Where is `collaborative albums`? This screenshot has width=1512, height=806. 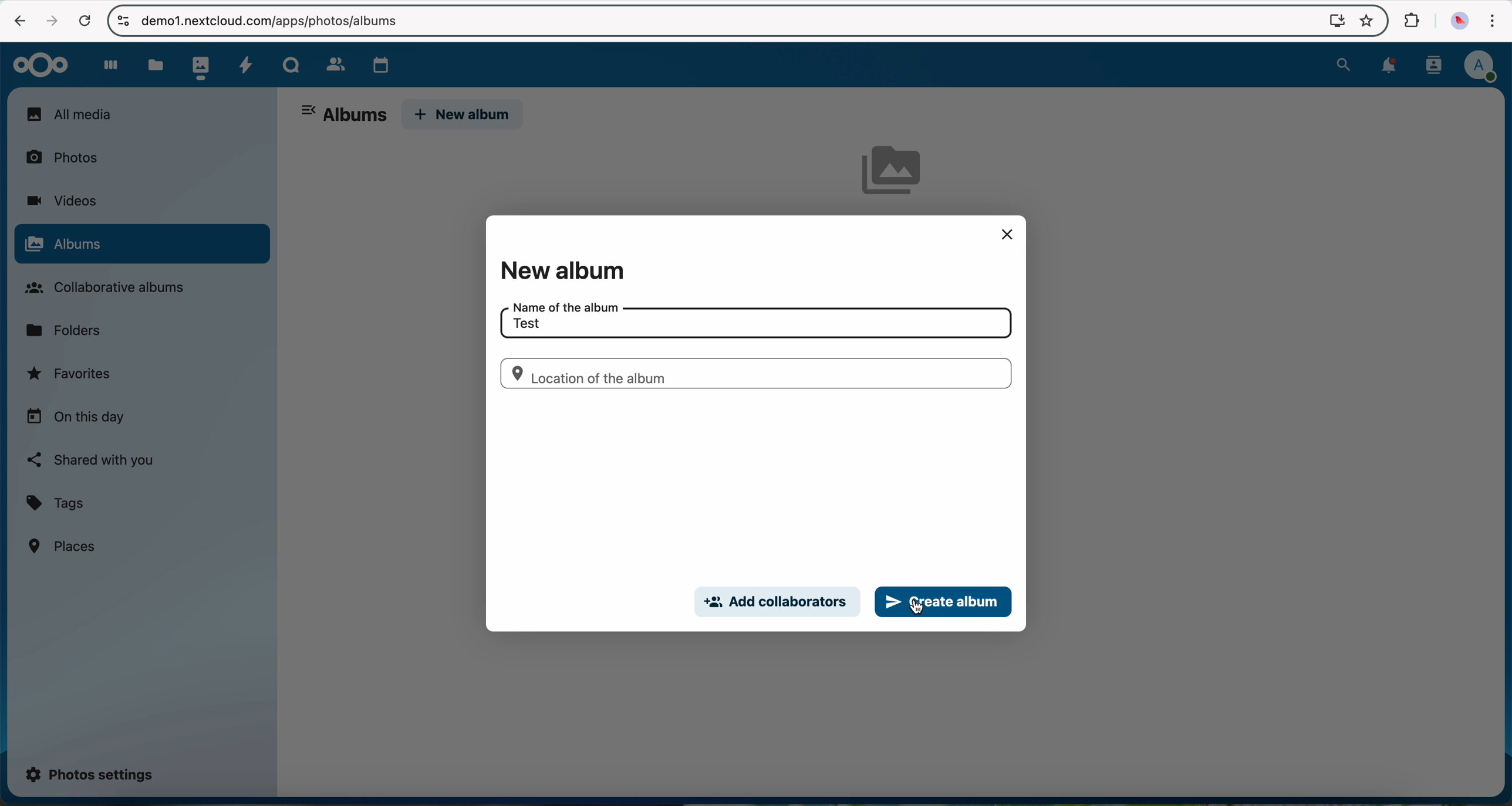 collaborative albums is located at coordinates (112, 288).